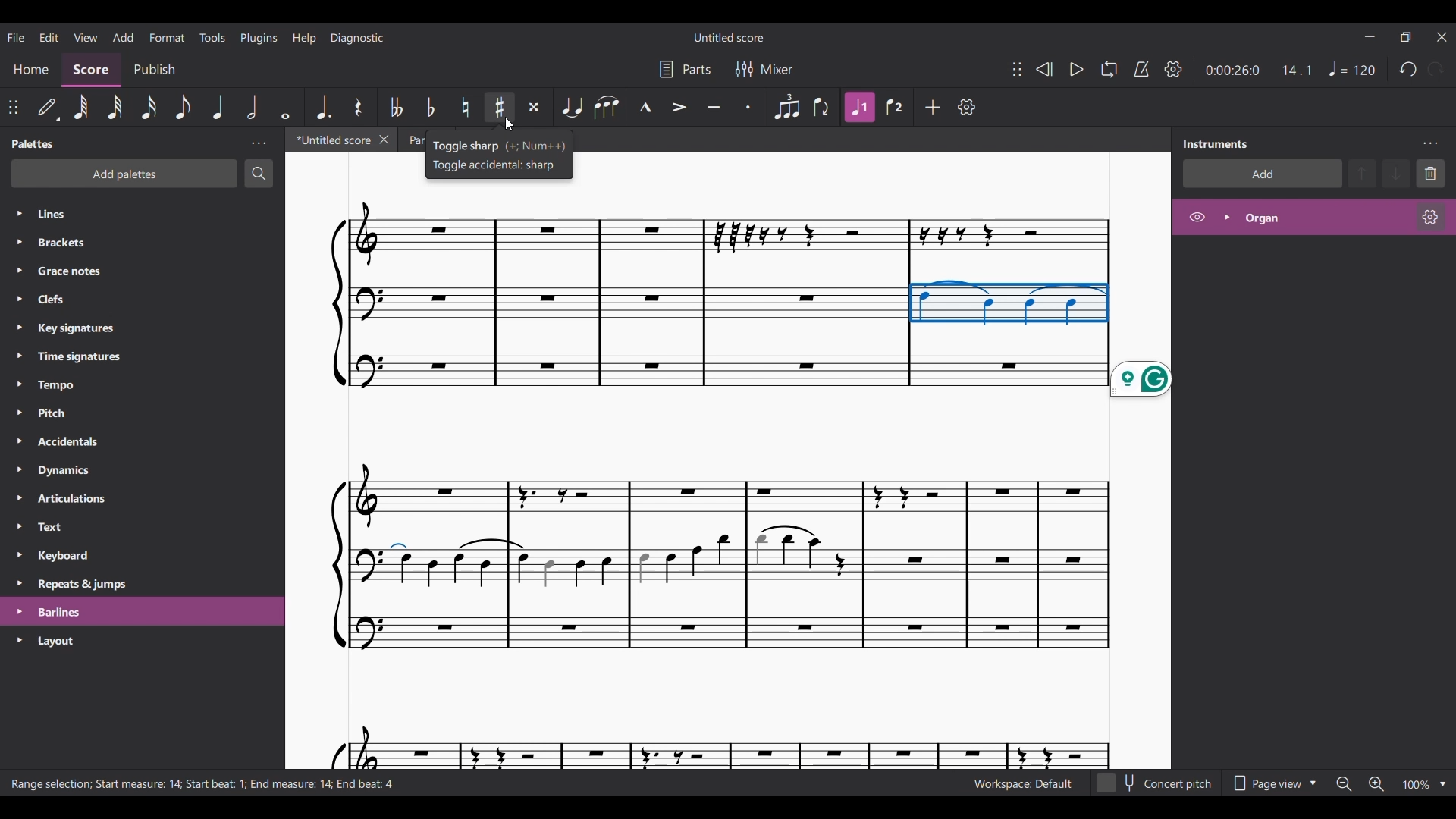  I want to click on Tenuto, so click(714, 107).